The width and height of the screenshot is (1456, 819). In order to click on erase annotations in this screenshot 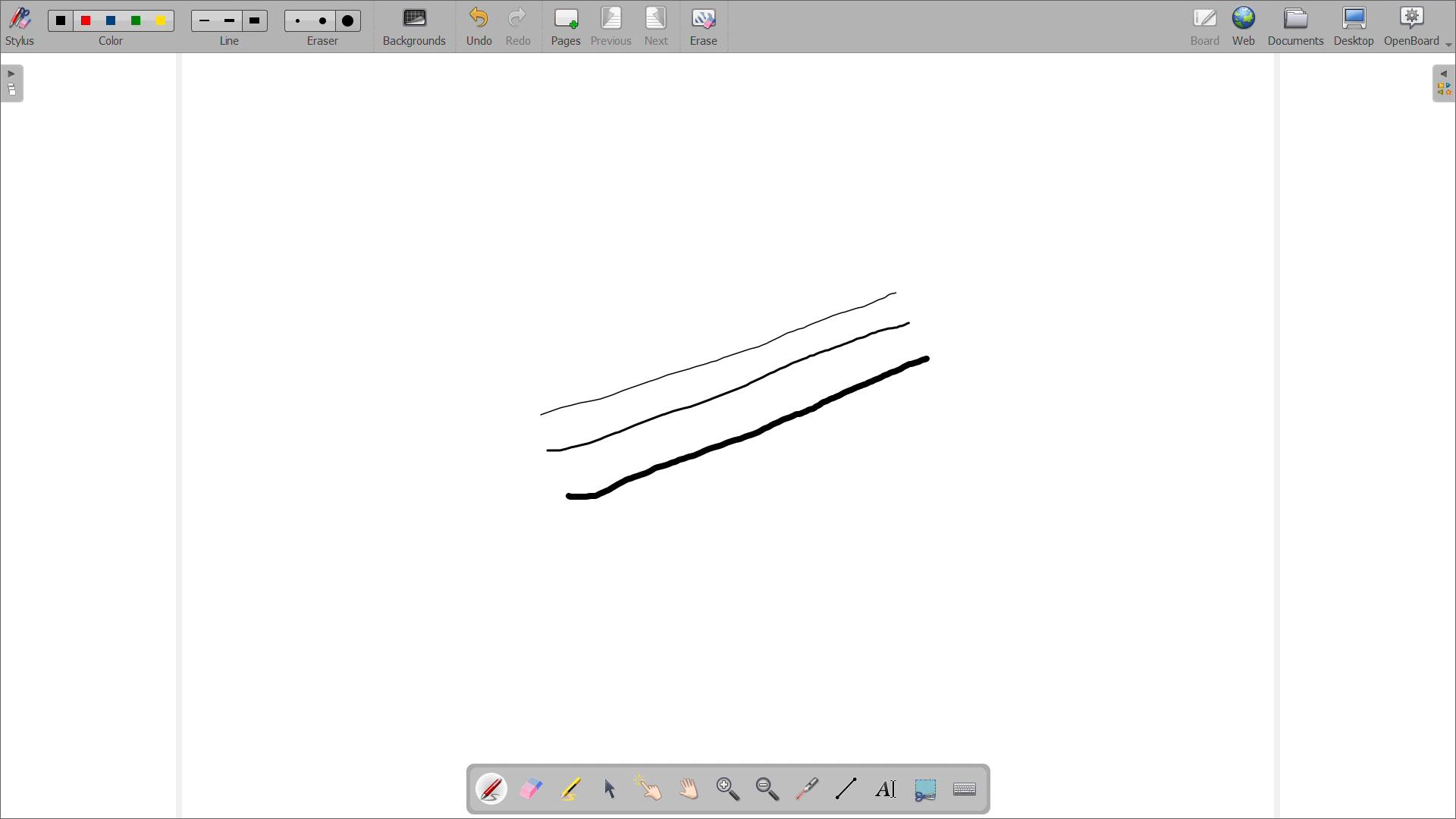, I will do `click(532, 789)`.